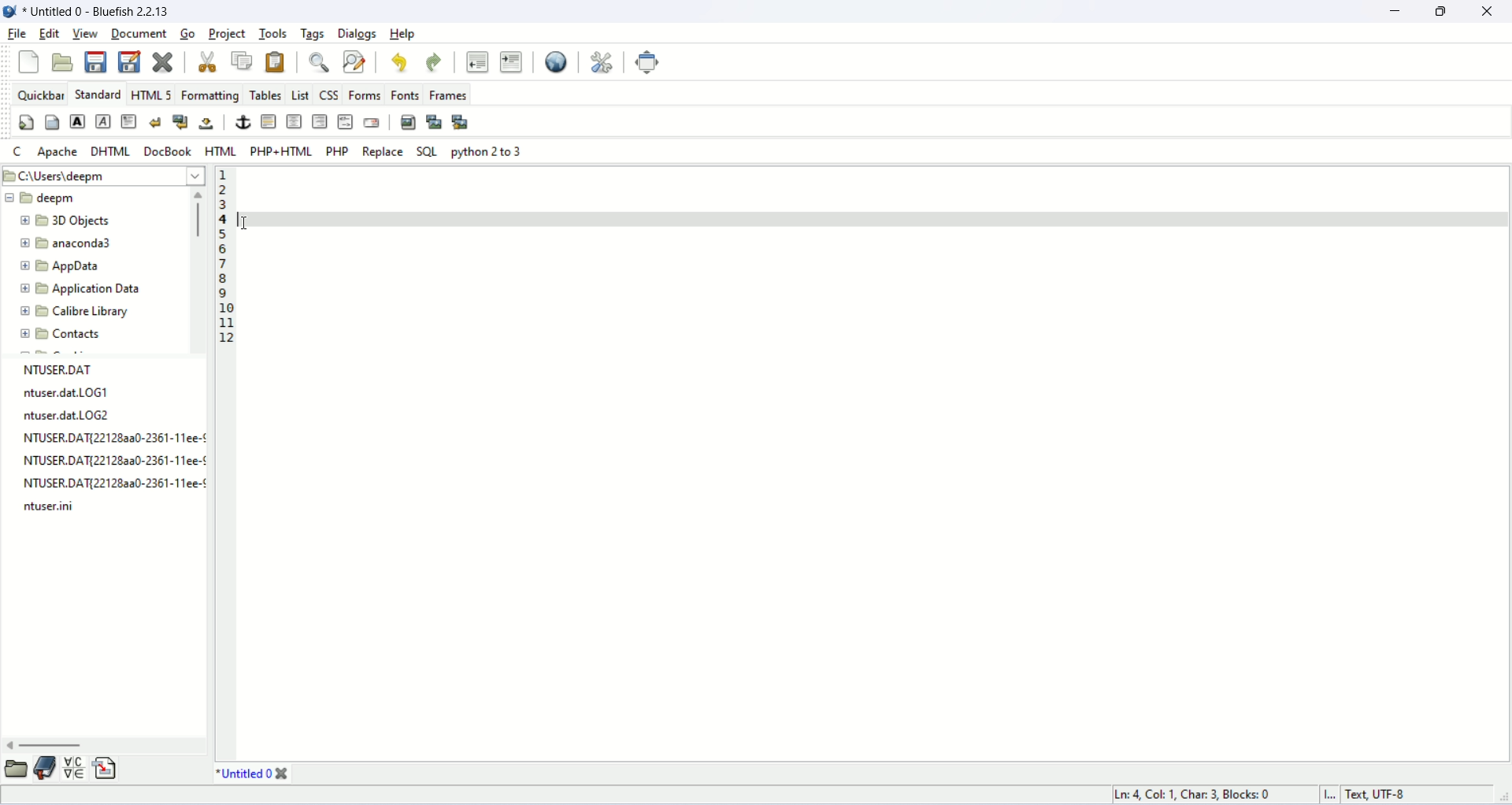  I want to click on open file, so click(61, 61).